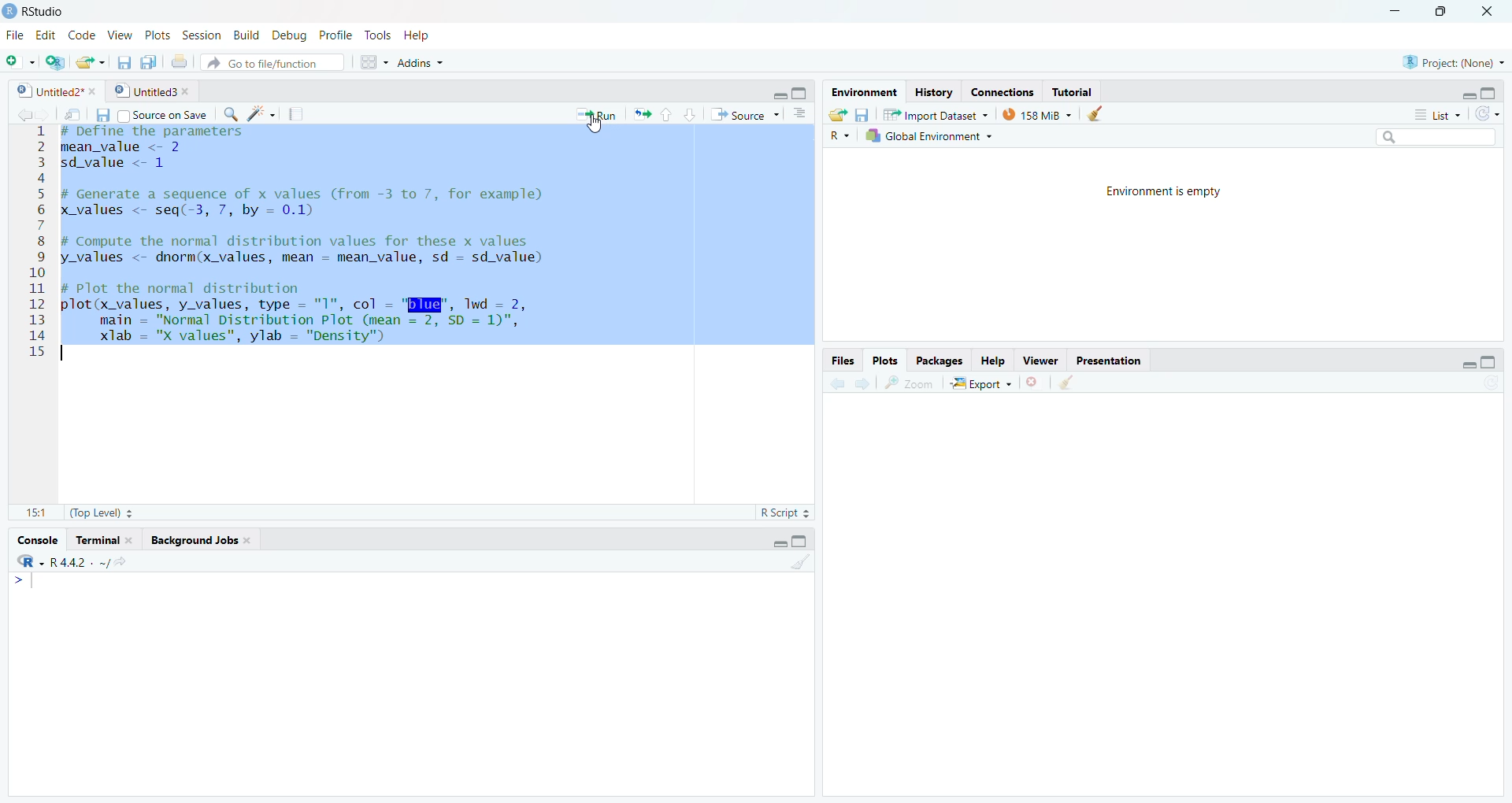  I want to click on RStudio, so click(42, 11).